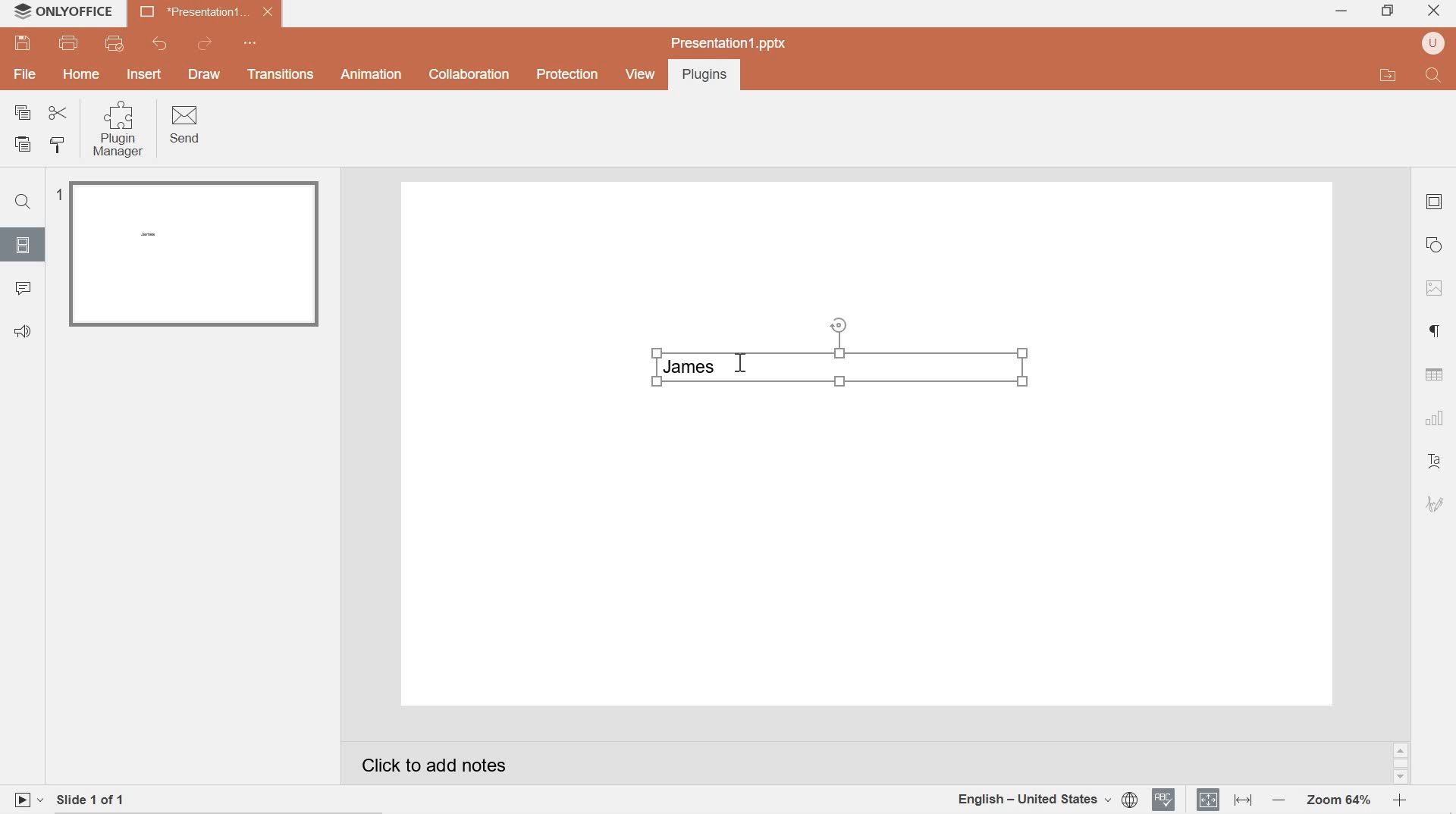 Image resolution: width=1456 pixels, height=814 pixels. What do you see at coordinates (23, 331) in the screenshot?
I see `Feedback & support` at bounding box center [23, 331].